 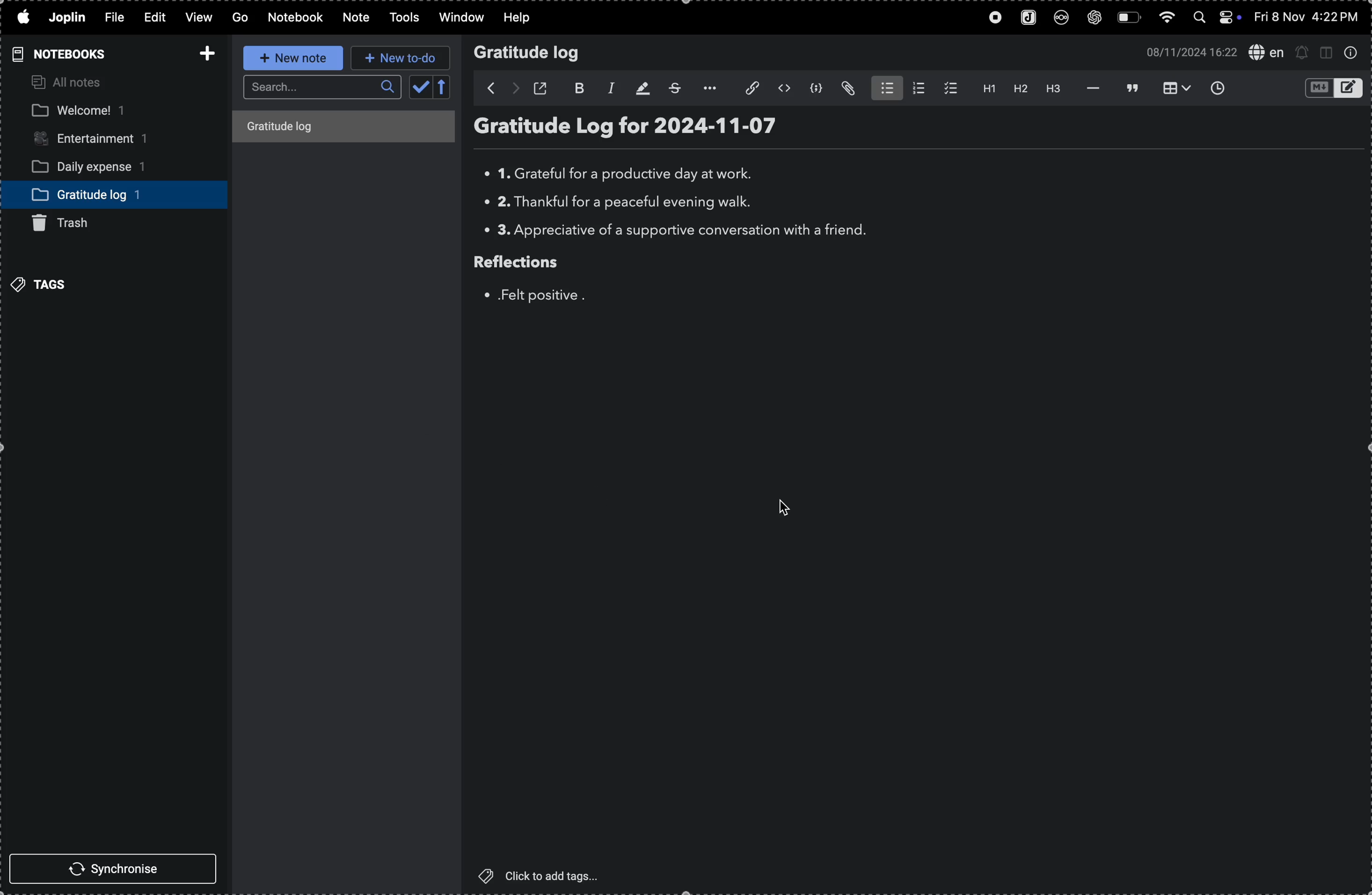 I want to click on all notes, so click(x=65, y=82).